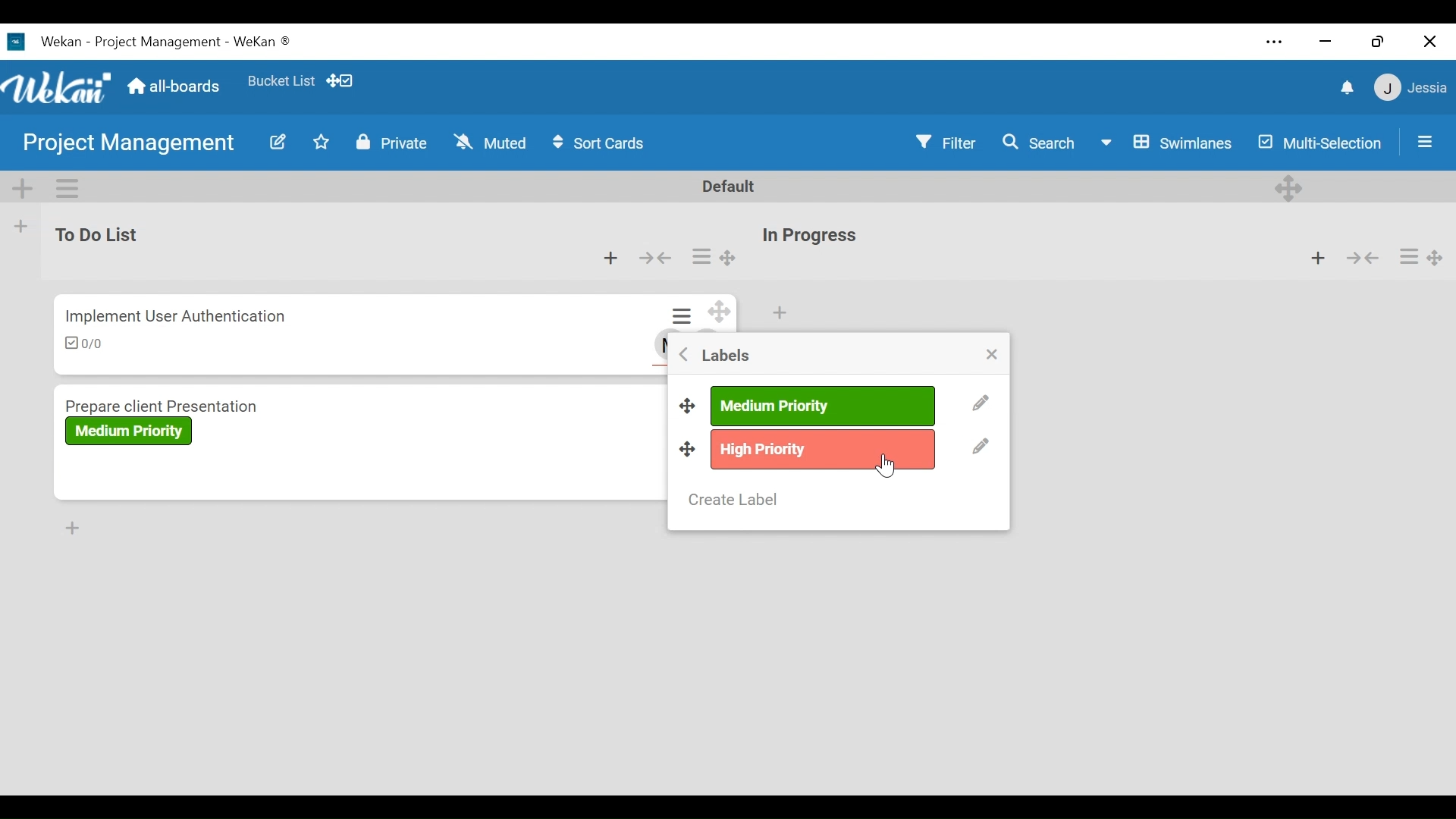  What do you see at coordinates (683, 315) in the screenshot?
I see `Card actions` at bounding box center [683, 315].